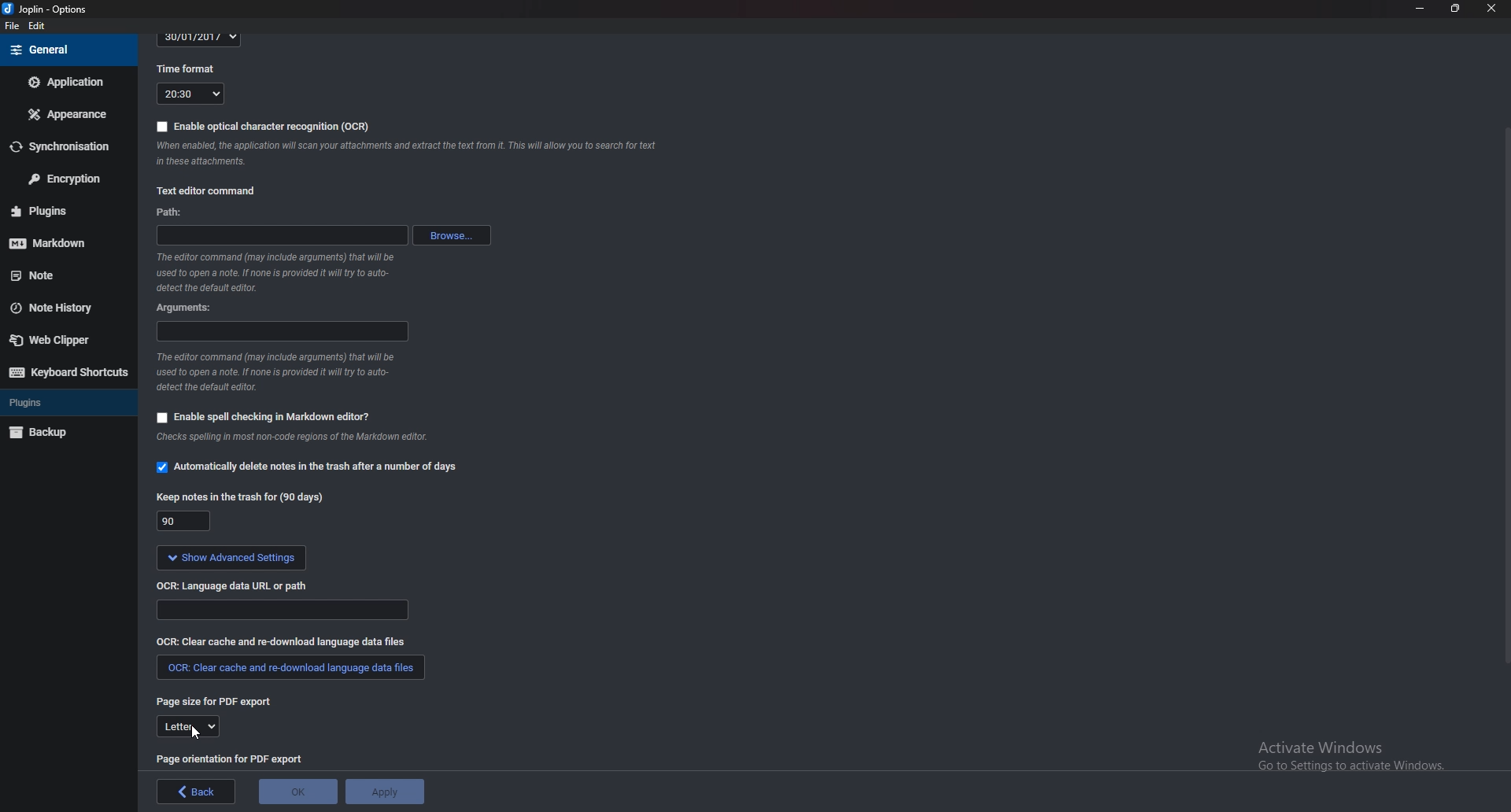  Describe the element at coordinates (190, 94) in the screenshot. I see `20:30` at that location.